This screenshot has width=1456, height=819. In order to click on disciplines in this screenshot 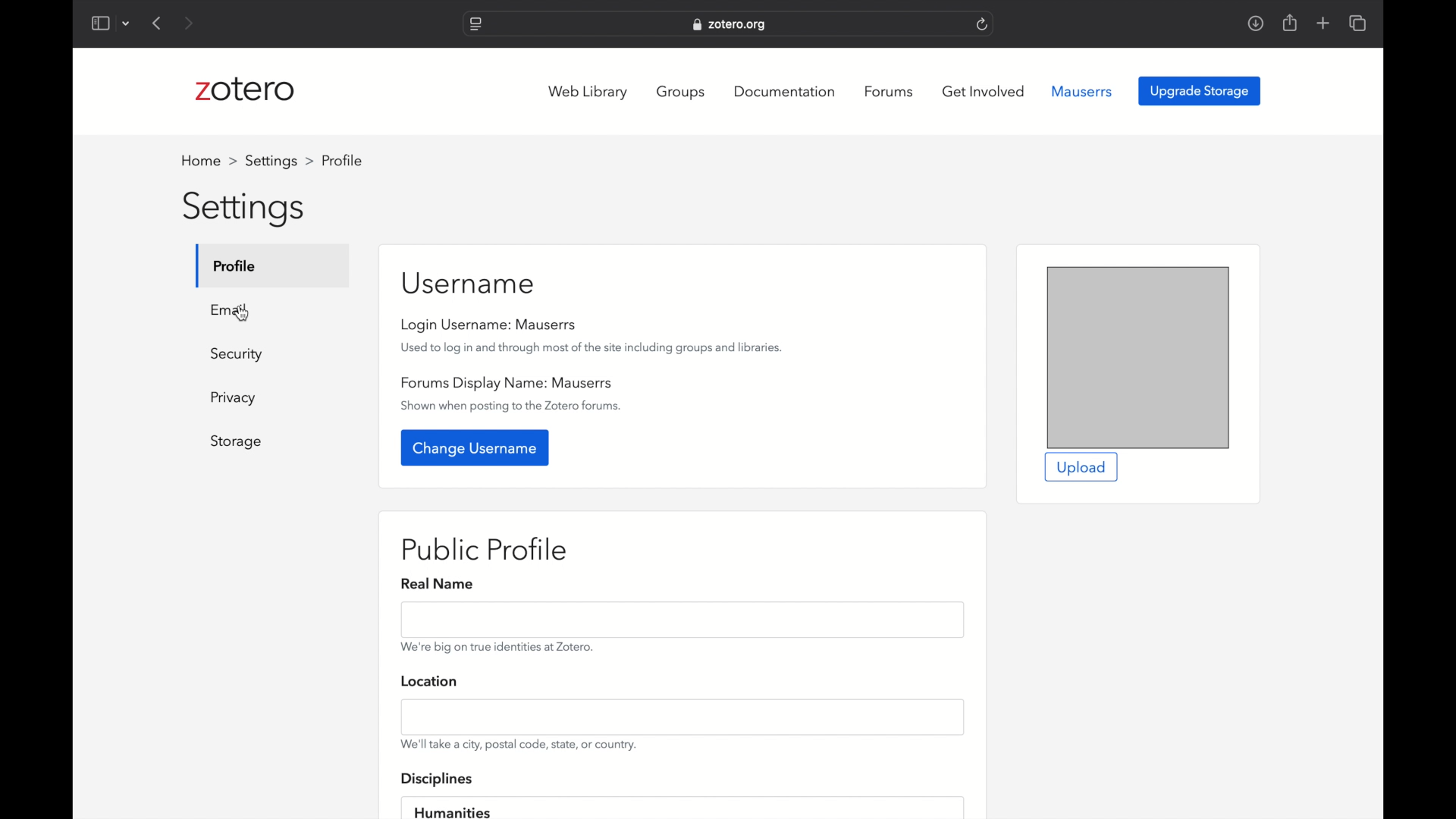, I will do `click(438, 780)`.